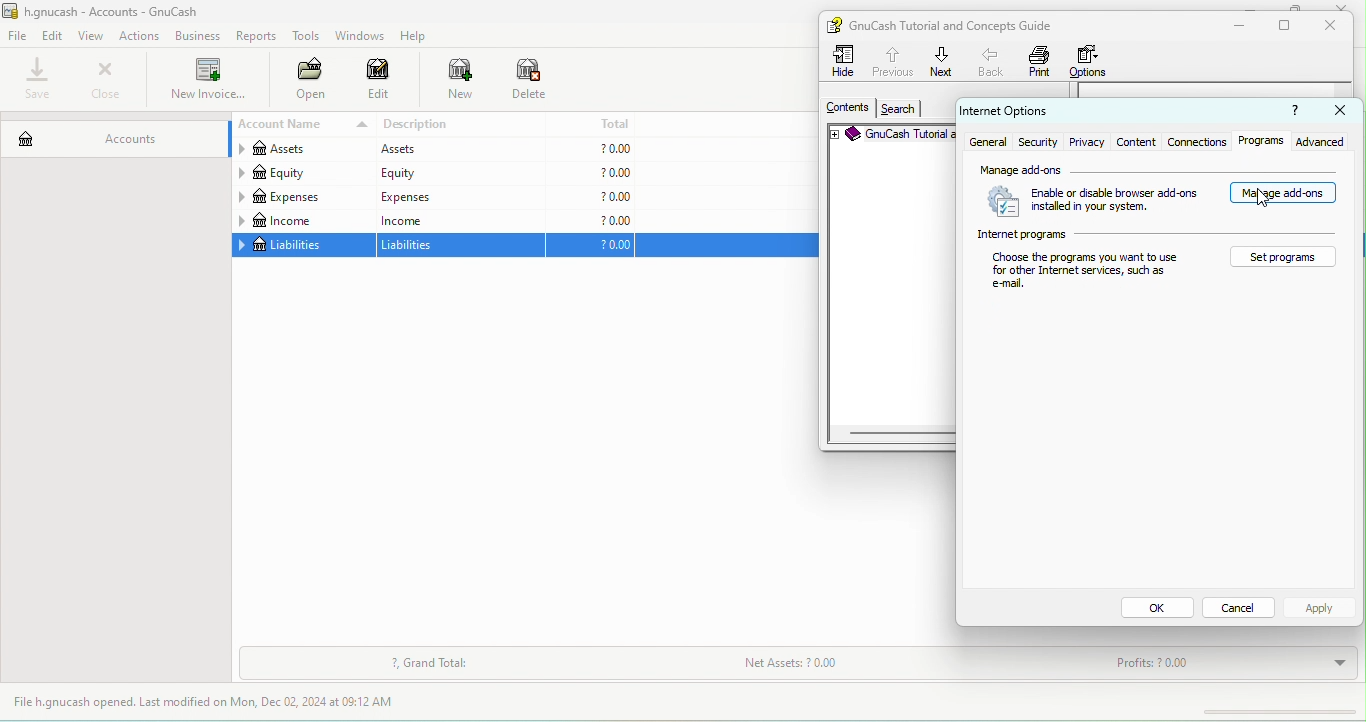  What do you see at coordinates (1240, 607) in the screenshot?
I see `cancel` at bounding box center [1240, 607].